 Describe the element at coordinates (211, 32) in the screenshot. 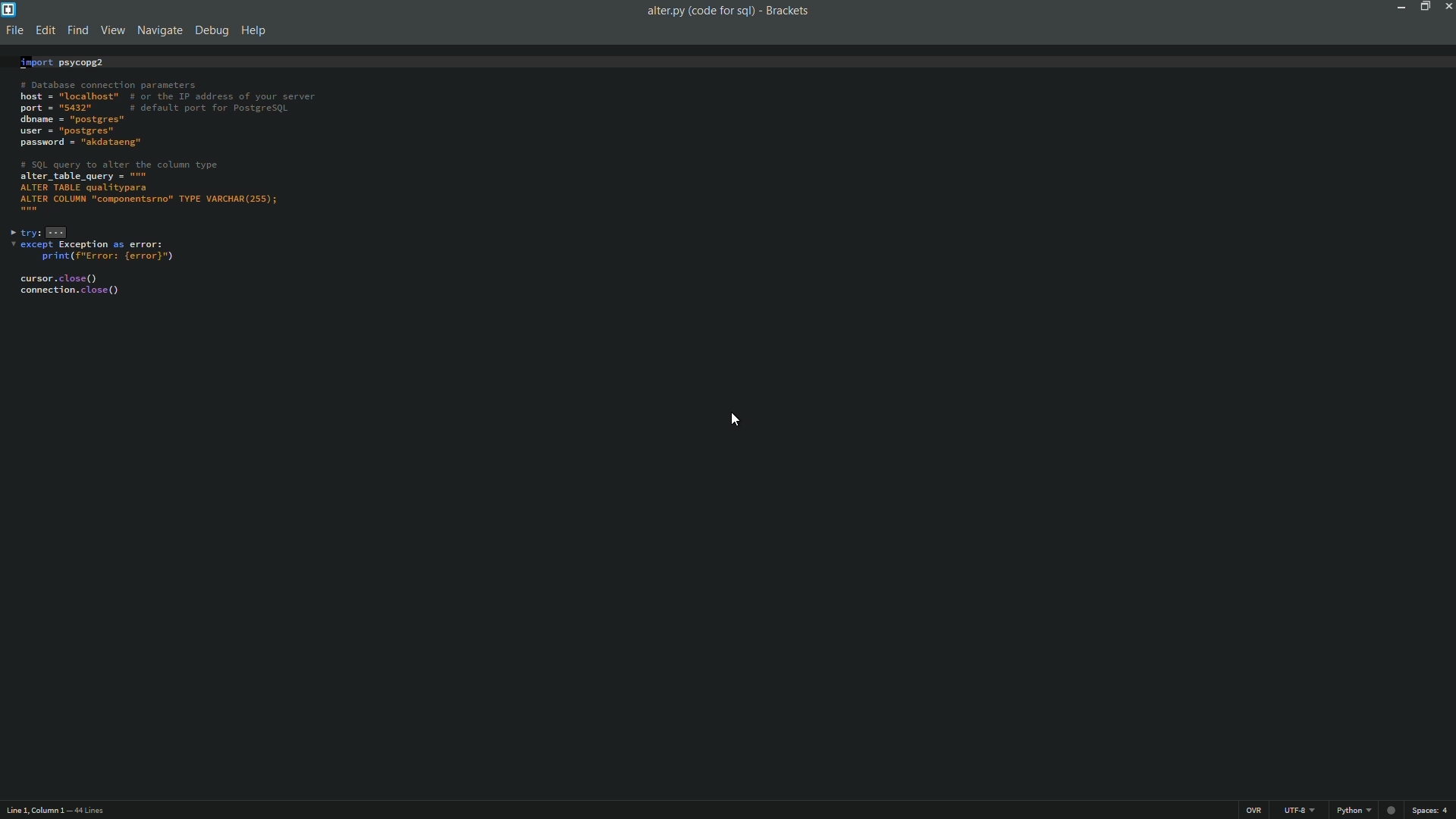

I see `debug menu` at that location.